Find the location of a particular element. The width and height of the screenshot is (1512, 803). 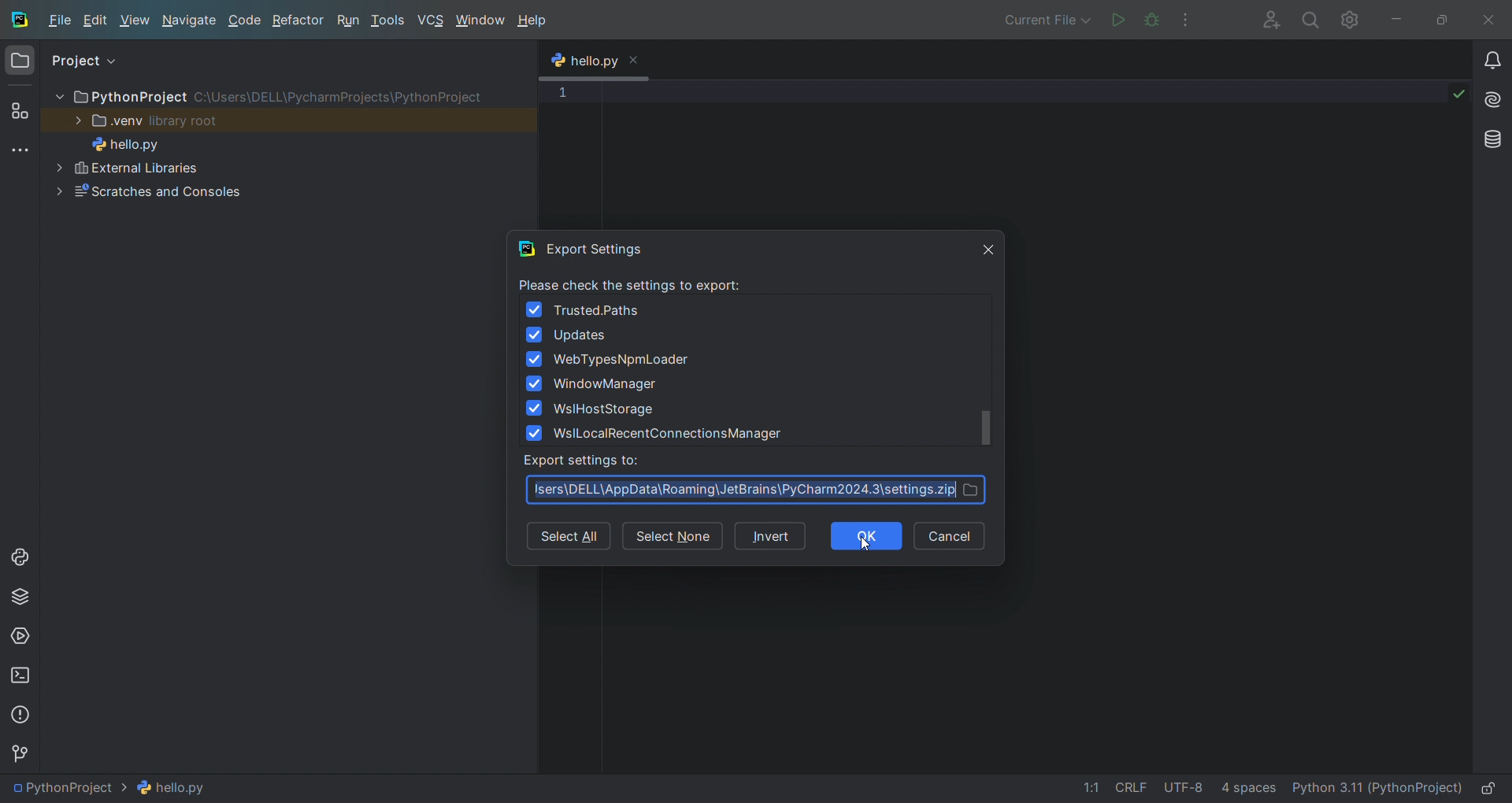

python package is located at coordinates (19, 600).